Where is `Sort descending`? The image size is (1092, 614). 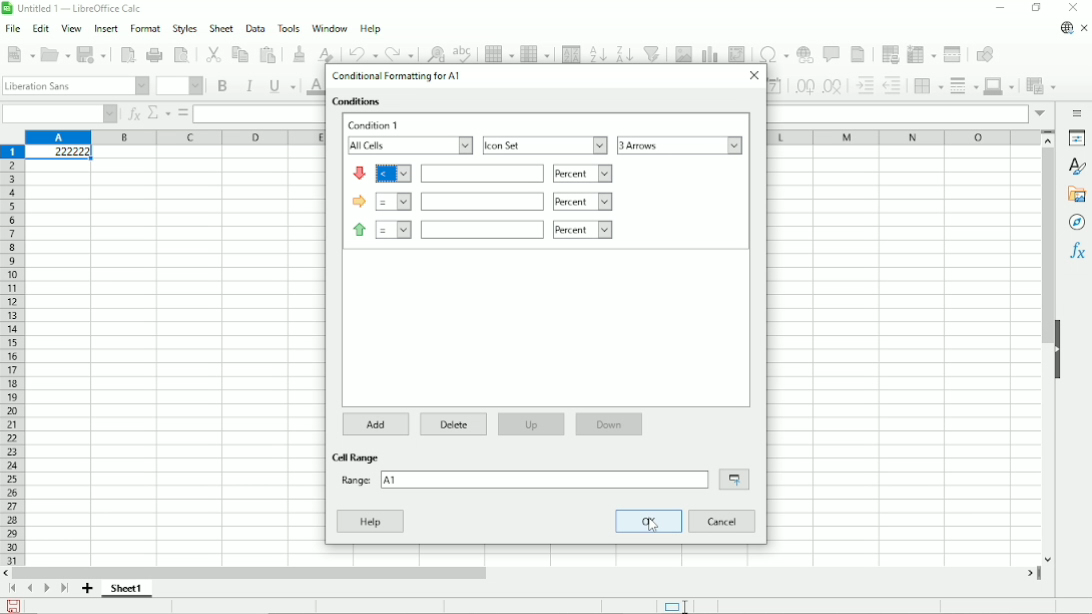
Sort descending is located at coordinates (624, 51).